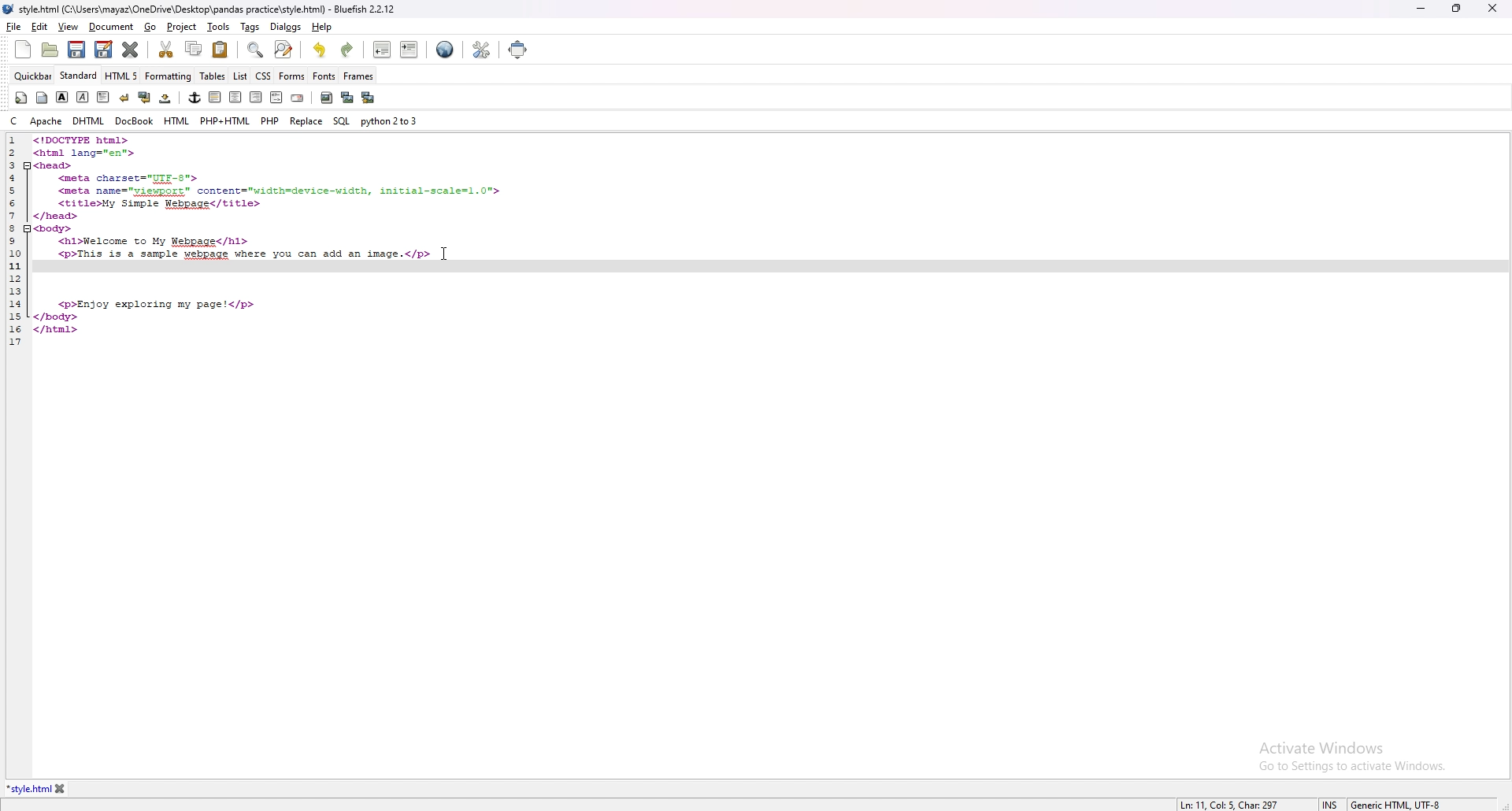 This screenshot has height=811, width=1512. Describe the element at coordinates (121, 76) in the screenshot. I see `html5` at that location.